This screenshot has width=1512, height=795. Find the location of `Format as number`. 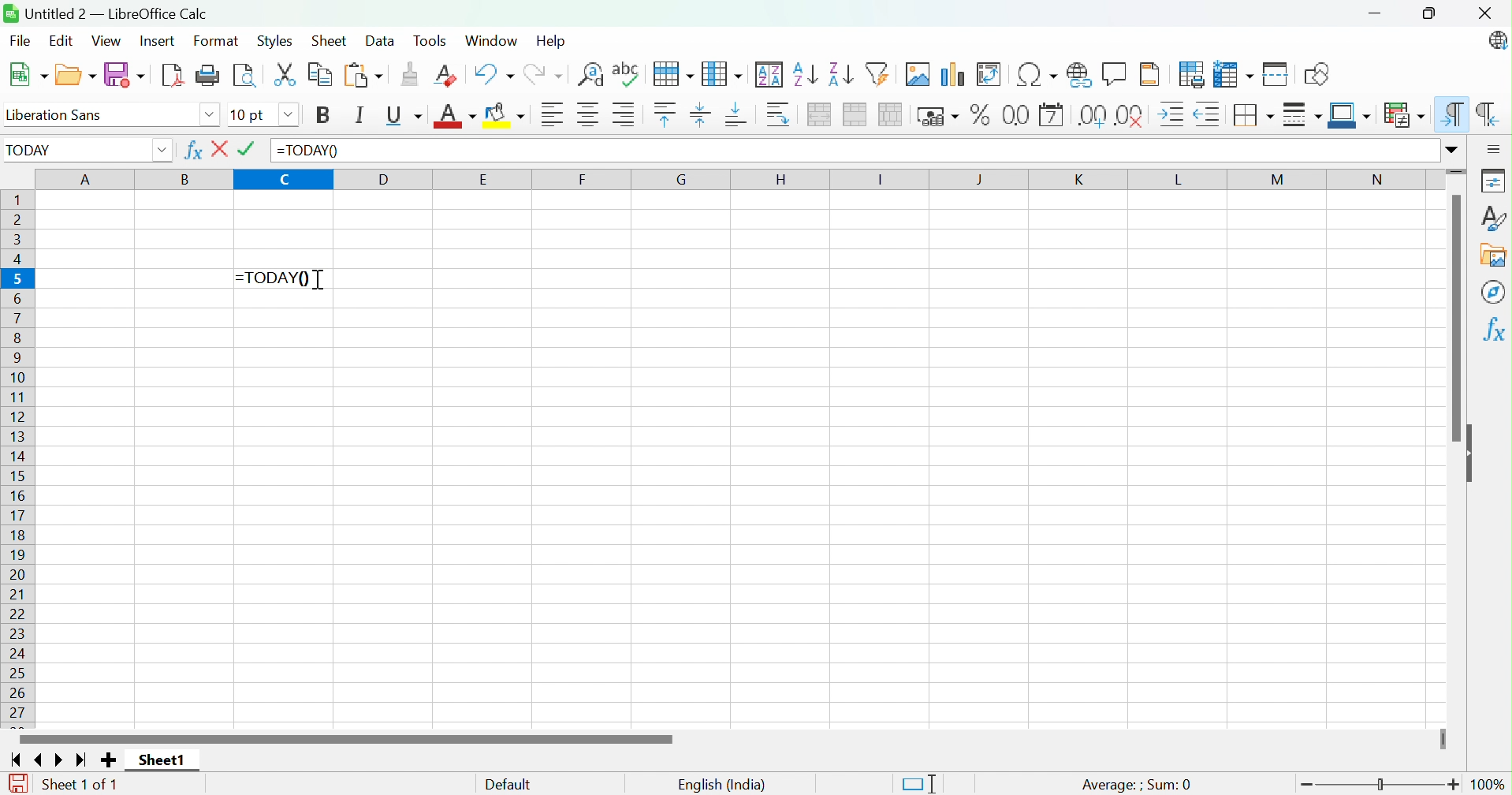

Format as number is located at coordinates (1016, 114).